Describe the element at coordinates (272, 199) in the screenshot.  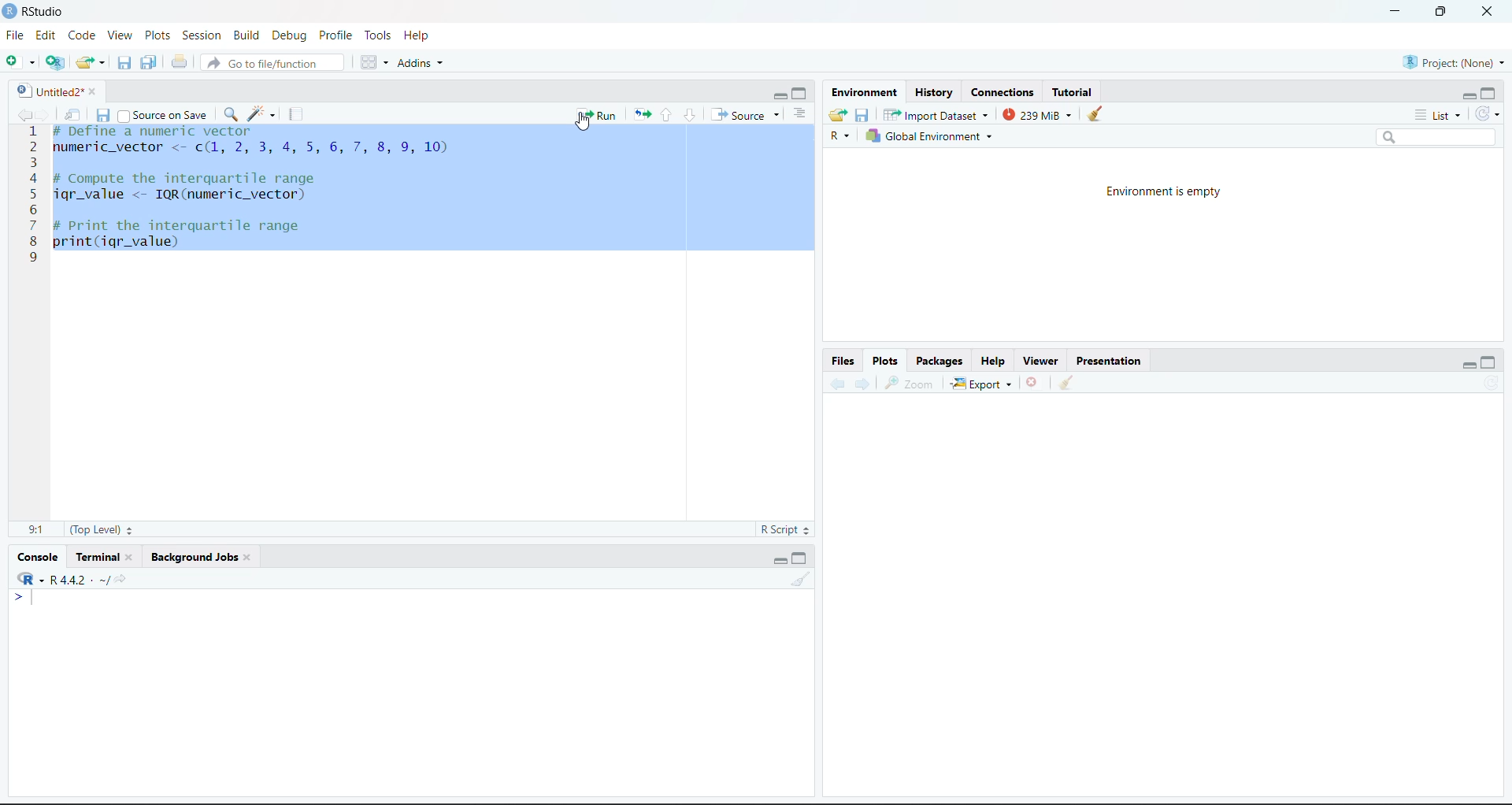
I see `fr Suns qe. 5 GEoe—— We S—-
numeric_vector <- c(1, 2, 3, 4, 5, 6, 7, 8, 9, 10)

# Compute the interquartile range

igr_value <- IQR(numeric_vector)

# Print the interquartile range

print(igr_value)` at that location.